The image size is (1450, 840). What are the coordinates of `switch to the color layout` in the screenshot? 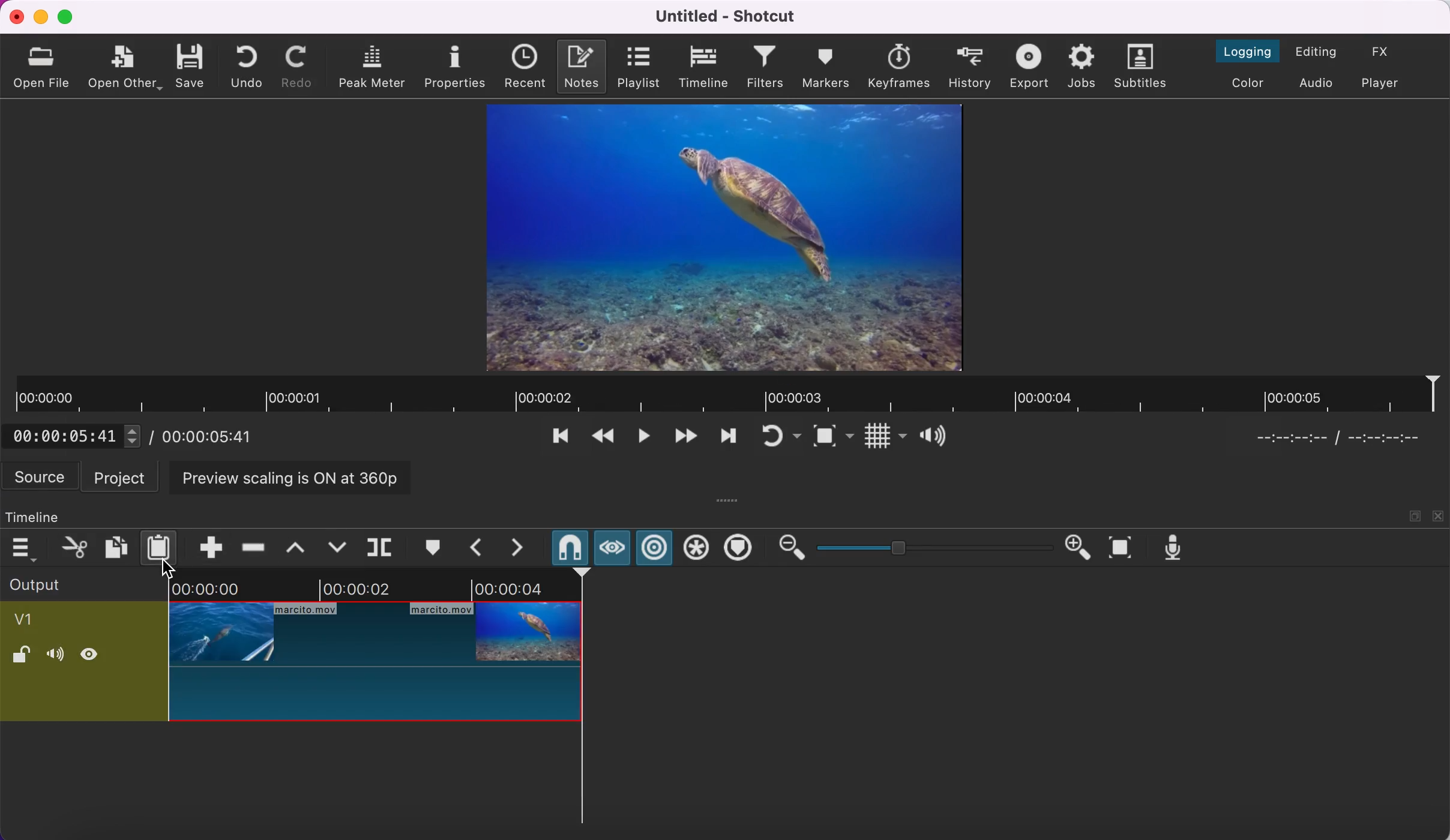 It's located at (1251, 83).